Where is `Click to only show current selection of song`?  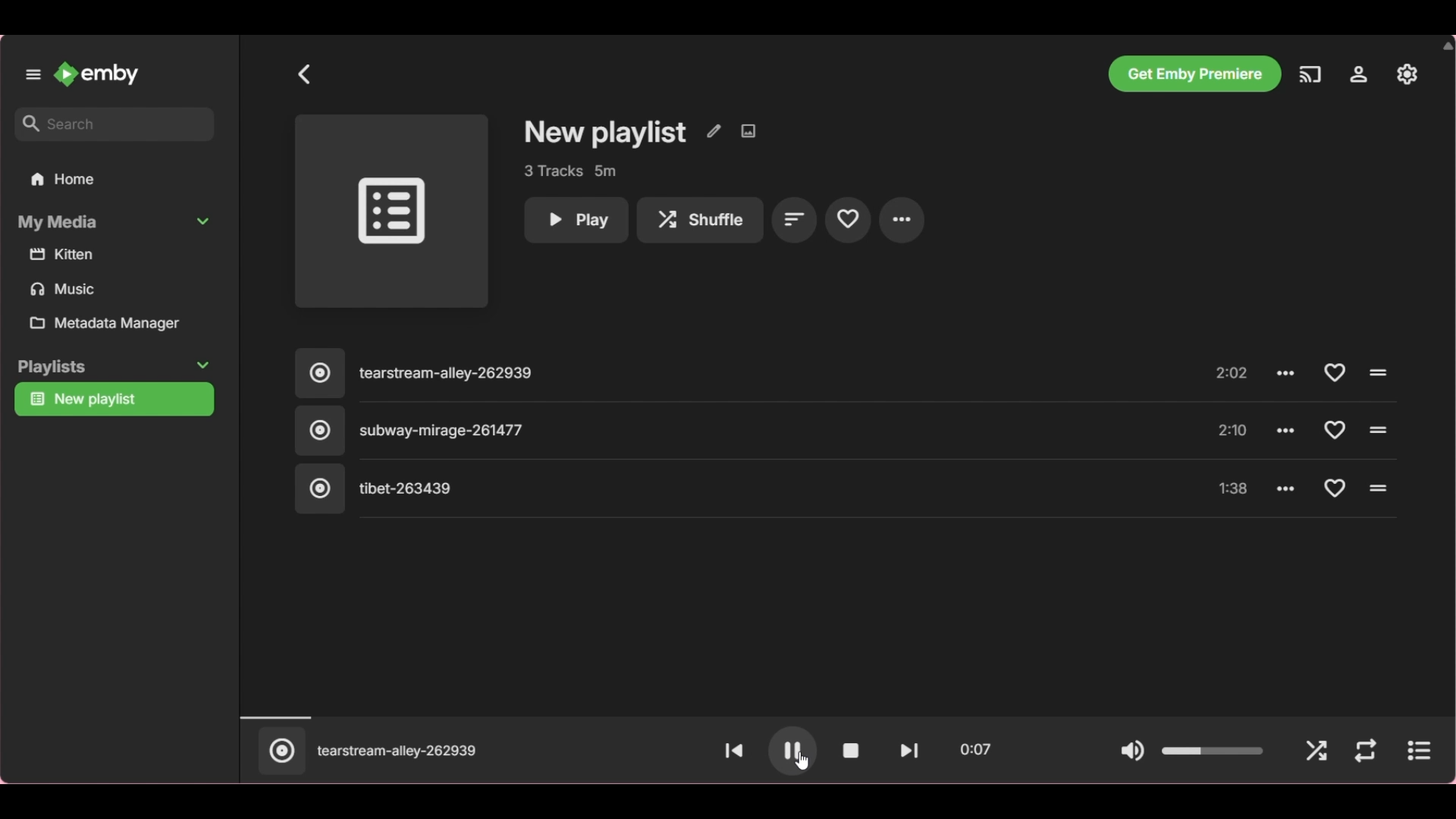 Click to only show current selection of song is located at coordinates (280, 751).